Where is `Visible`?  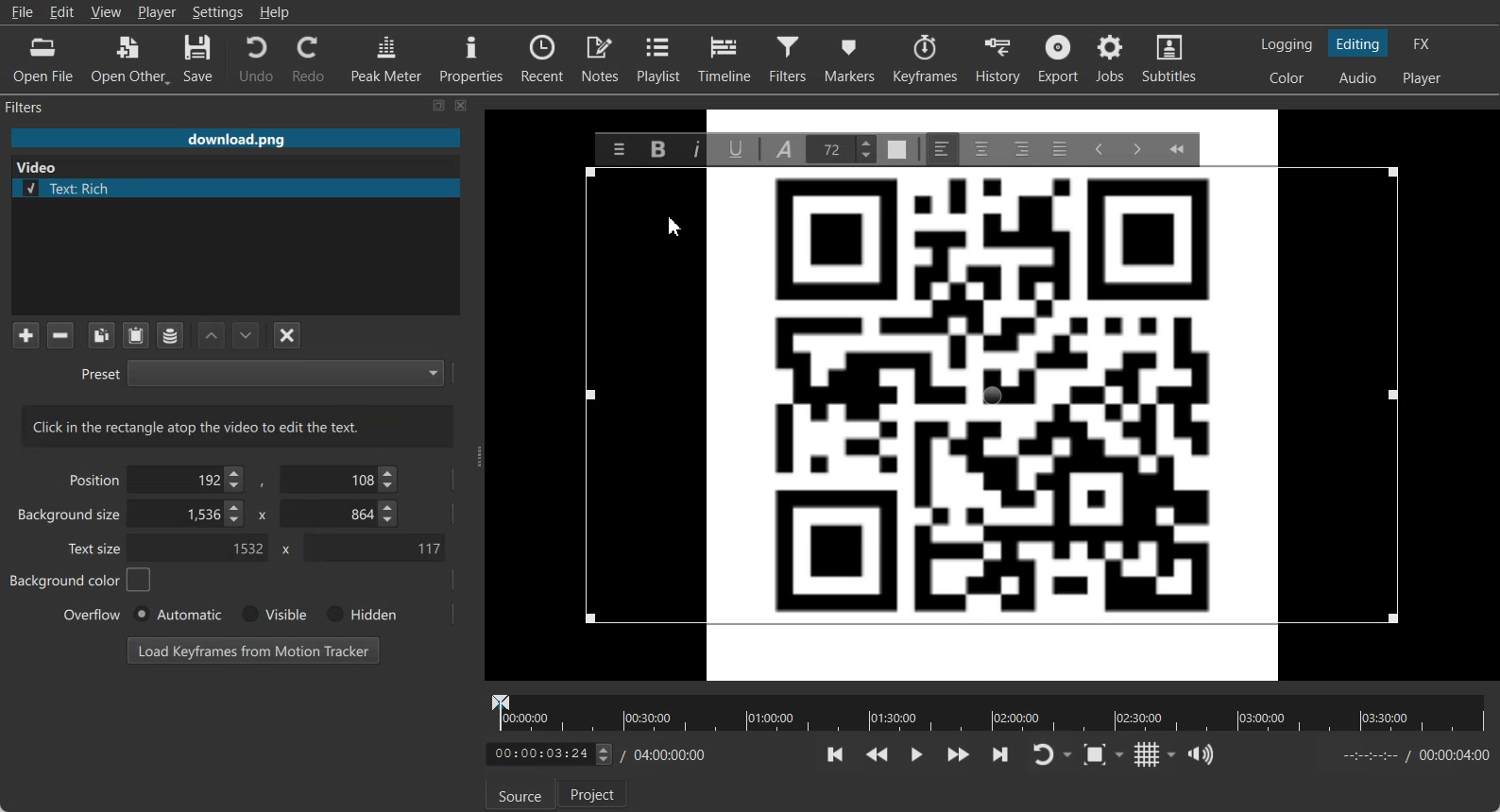 Visible is located at coordinates (272, 615).